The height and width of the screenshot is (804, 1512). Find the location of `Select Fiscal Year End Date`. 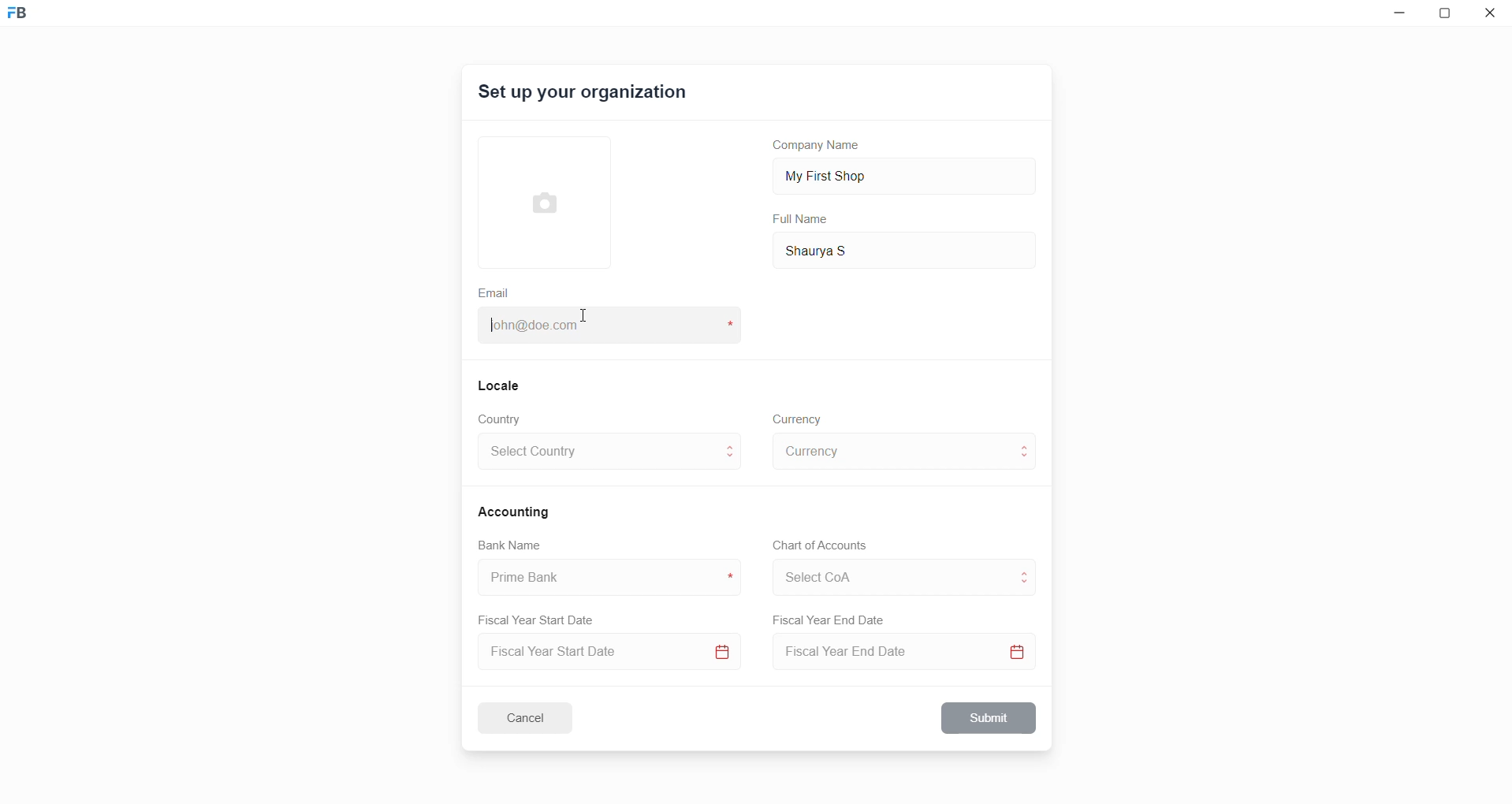

Select Fiscal Year End Date is located at coordinates (909, 655).